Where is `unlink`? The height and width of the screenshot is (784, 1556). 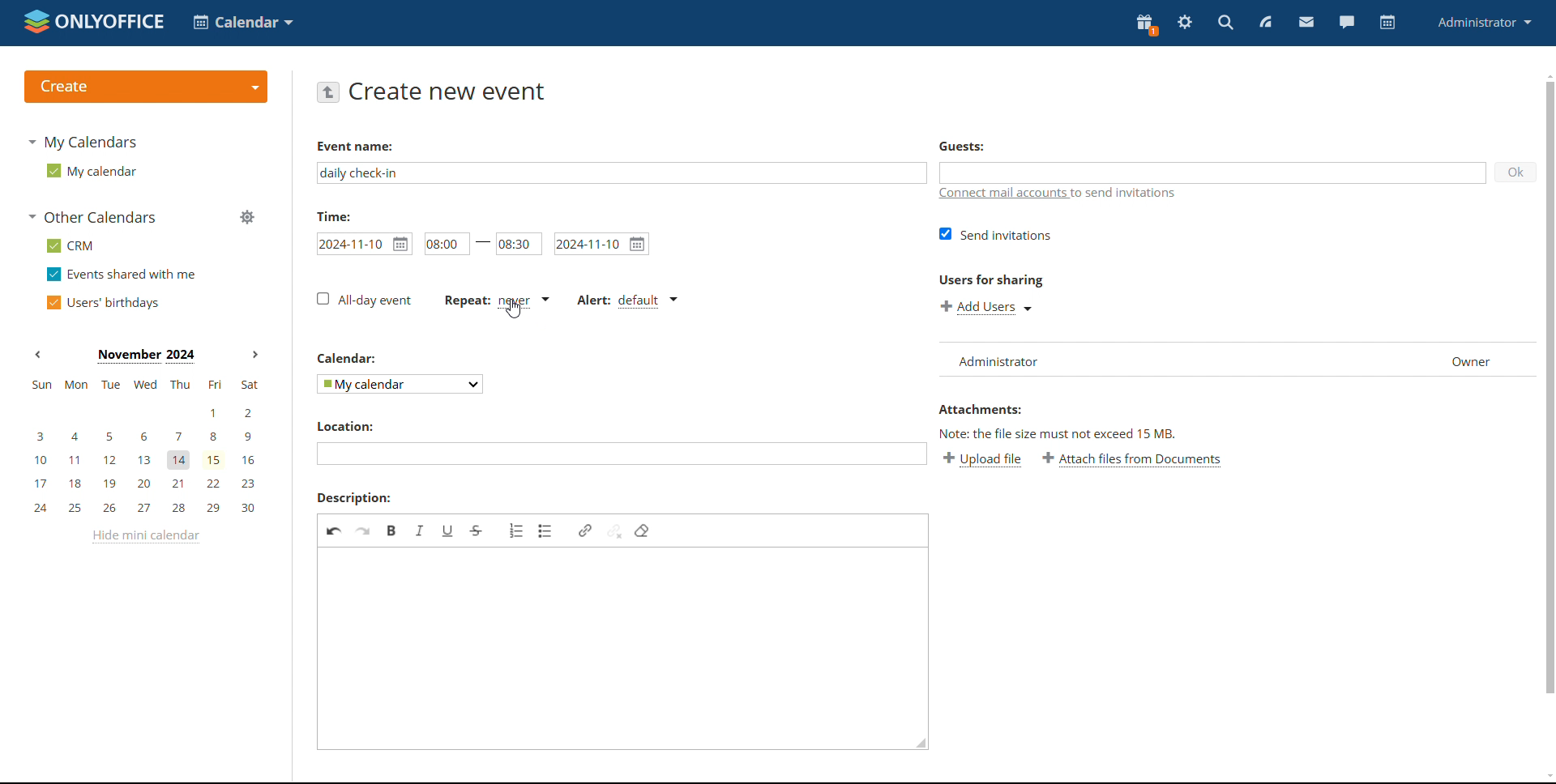 unlink is located at coordinates (614, 530).